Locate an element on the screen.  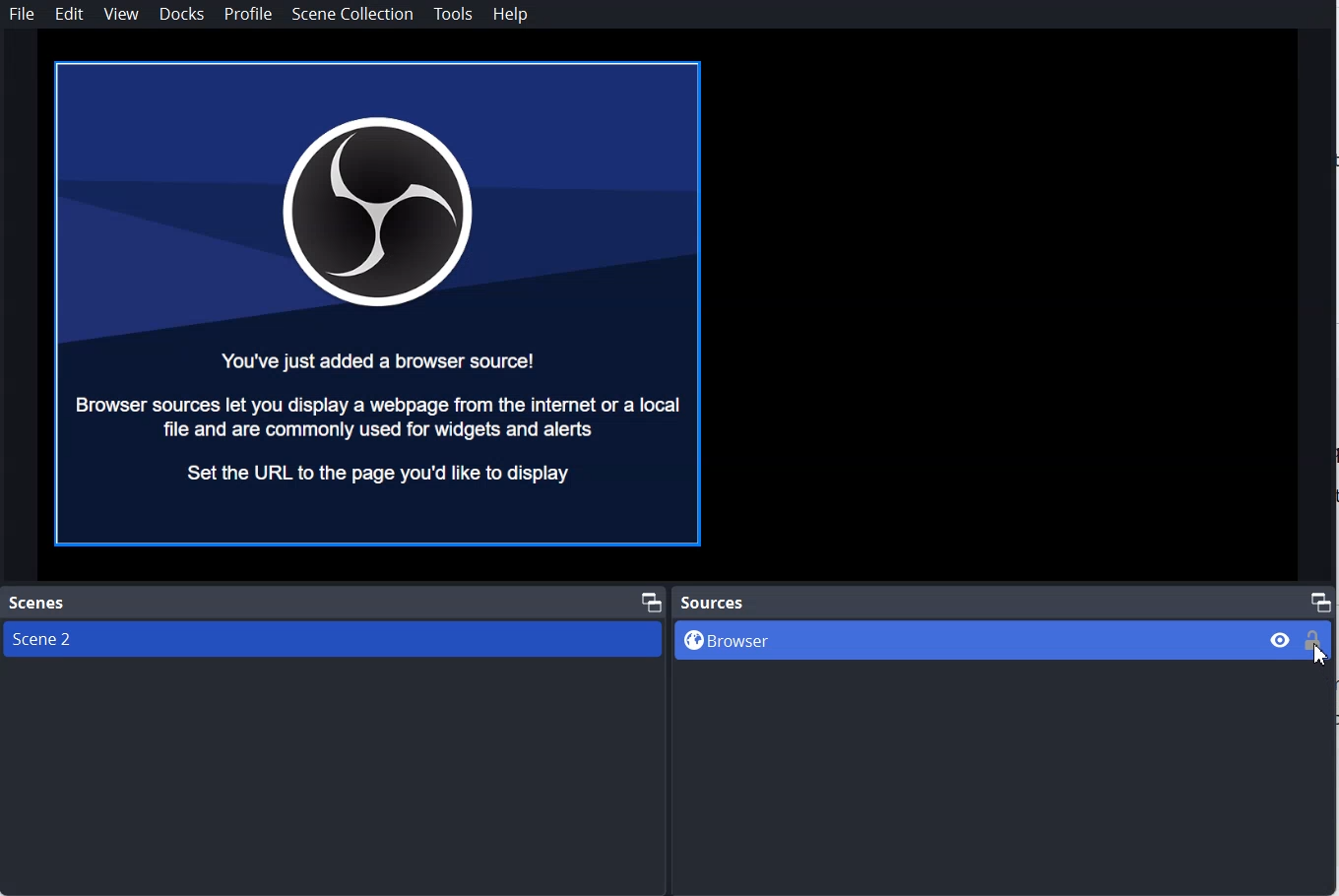
Docks is located at coordinates (181, 14).